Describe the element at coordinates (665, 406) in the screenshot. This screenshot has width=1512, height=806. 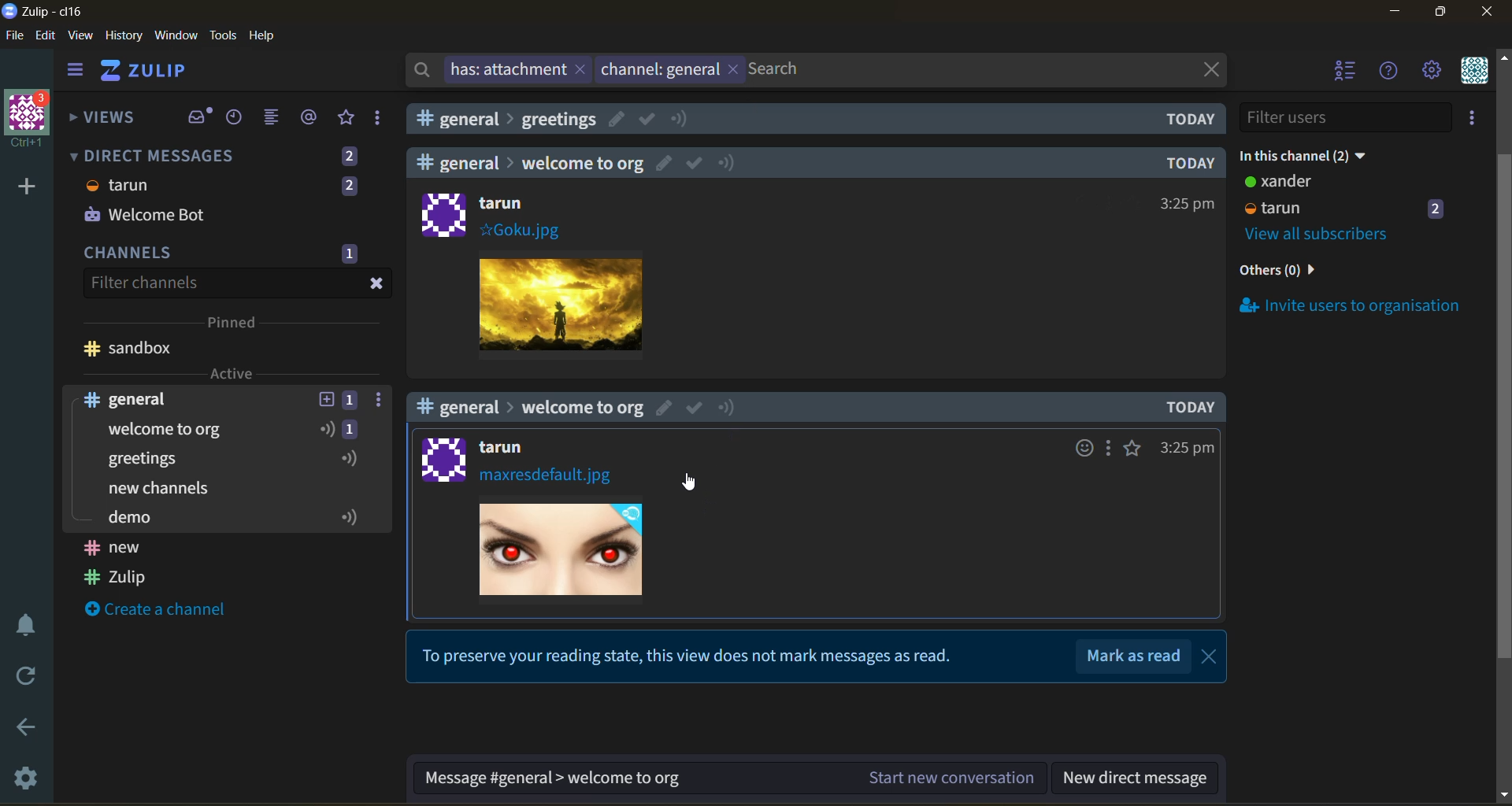
I see `edit` at that location.